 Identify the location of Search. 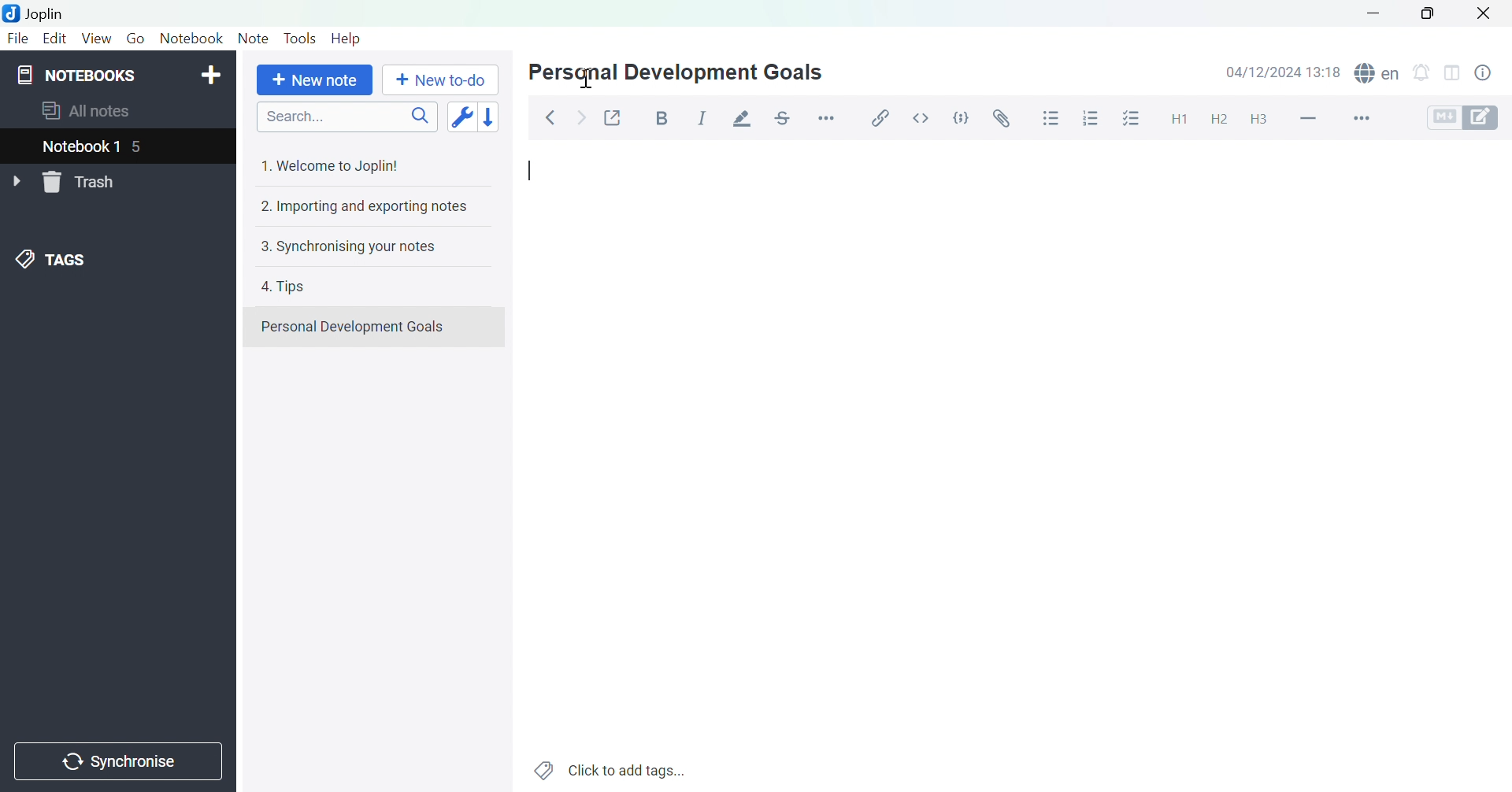
(346, 116).